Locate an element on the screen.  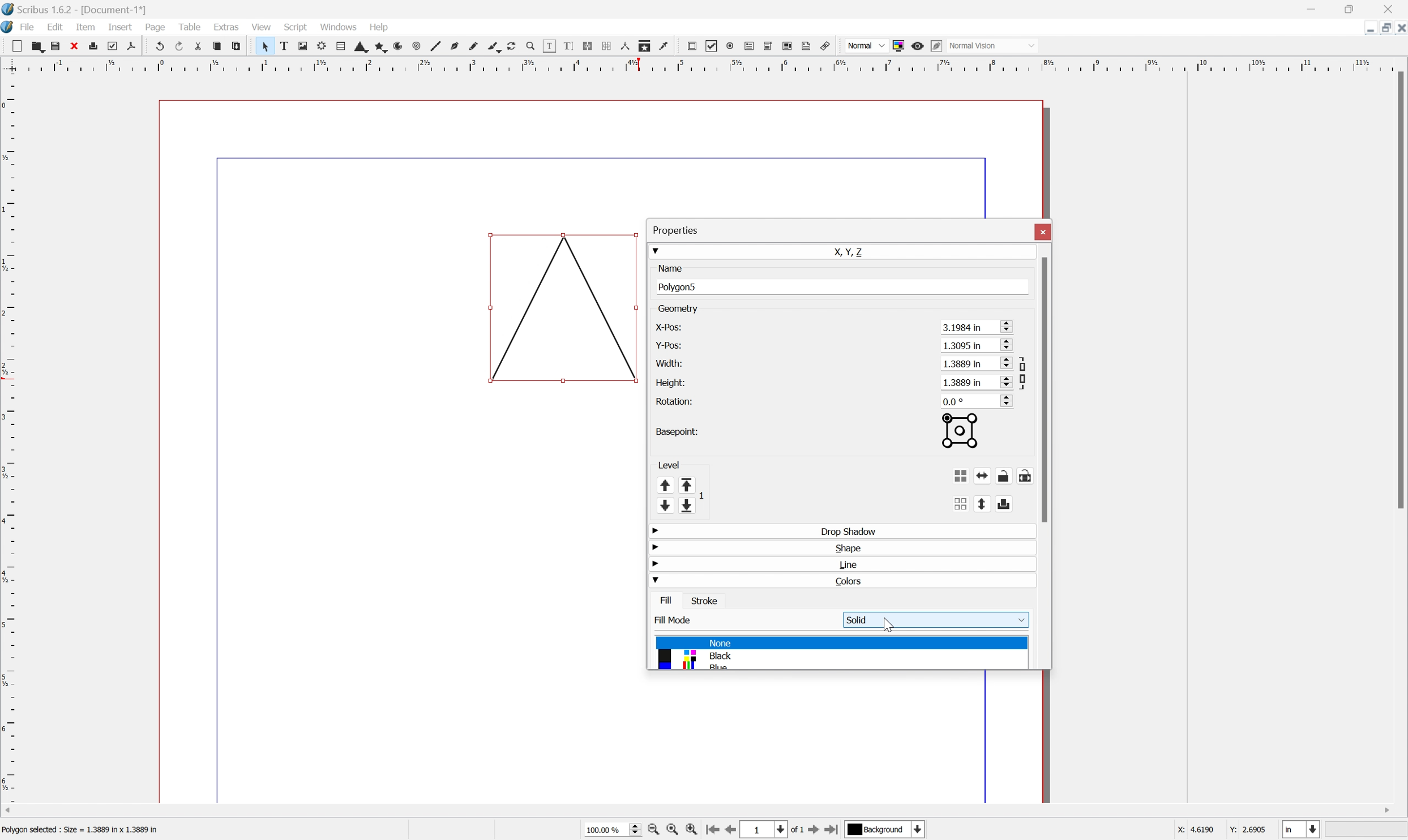
Y: 1.3254 is located at coordinates (1247, 830).